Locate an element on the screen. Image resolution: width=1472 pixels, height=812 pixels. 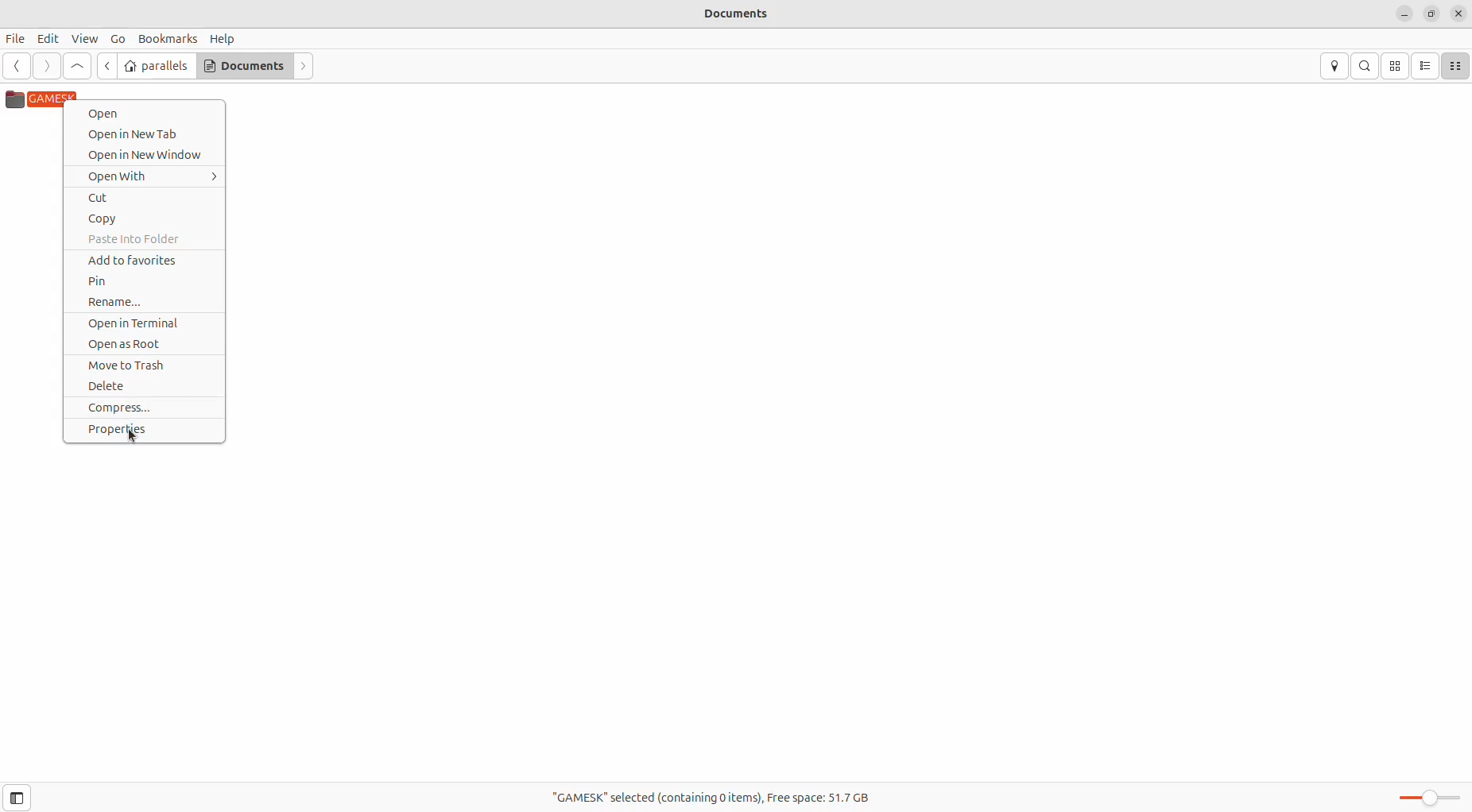
copy is located at coordinates (145, 218).